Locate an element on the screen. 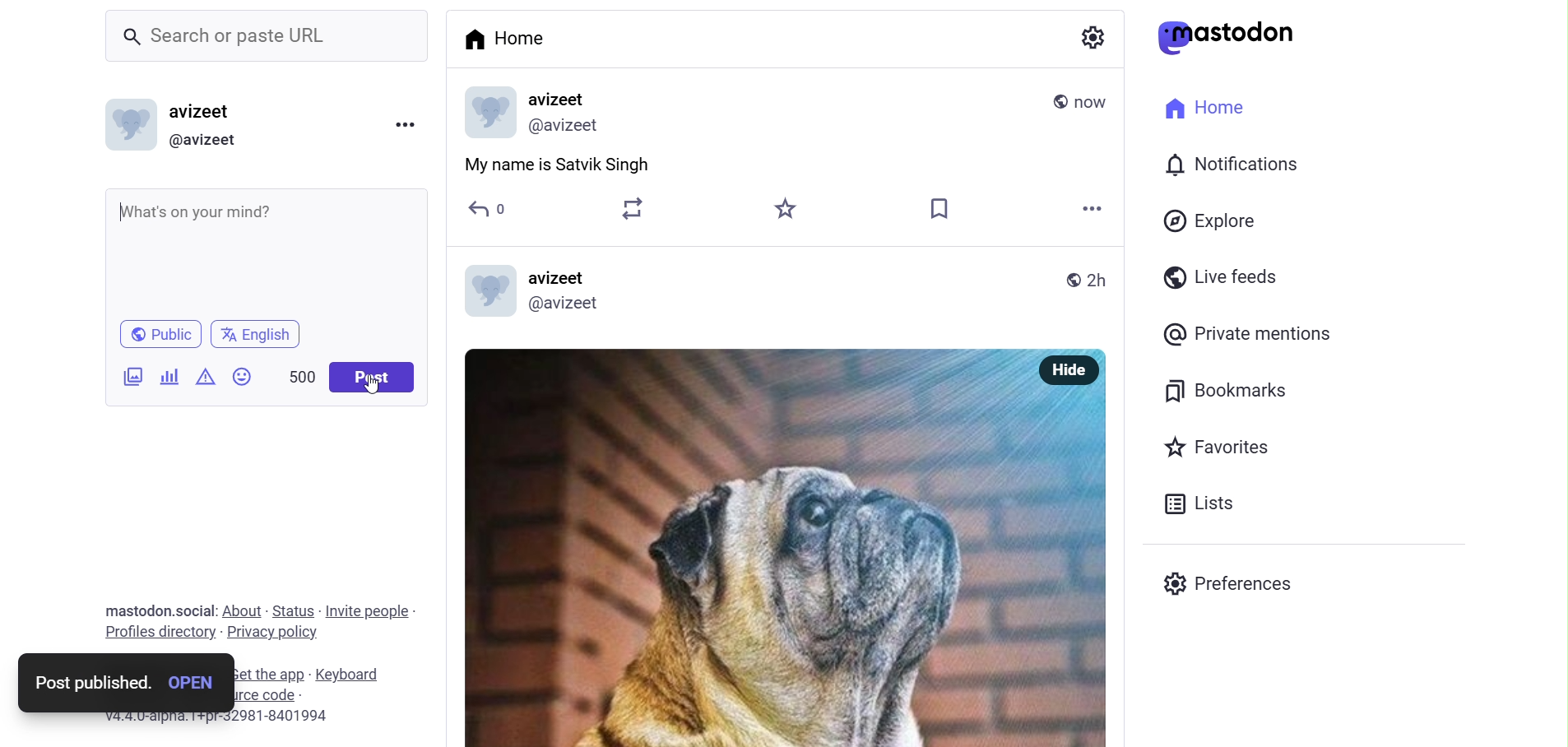  Home is located at coordinates (1203, 105).